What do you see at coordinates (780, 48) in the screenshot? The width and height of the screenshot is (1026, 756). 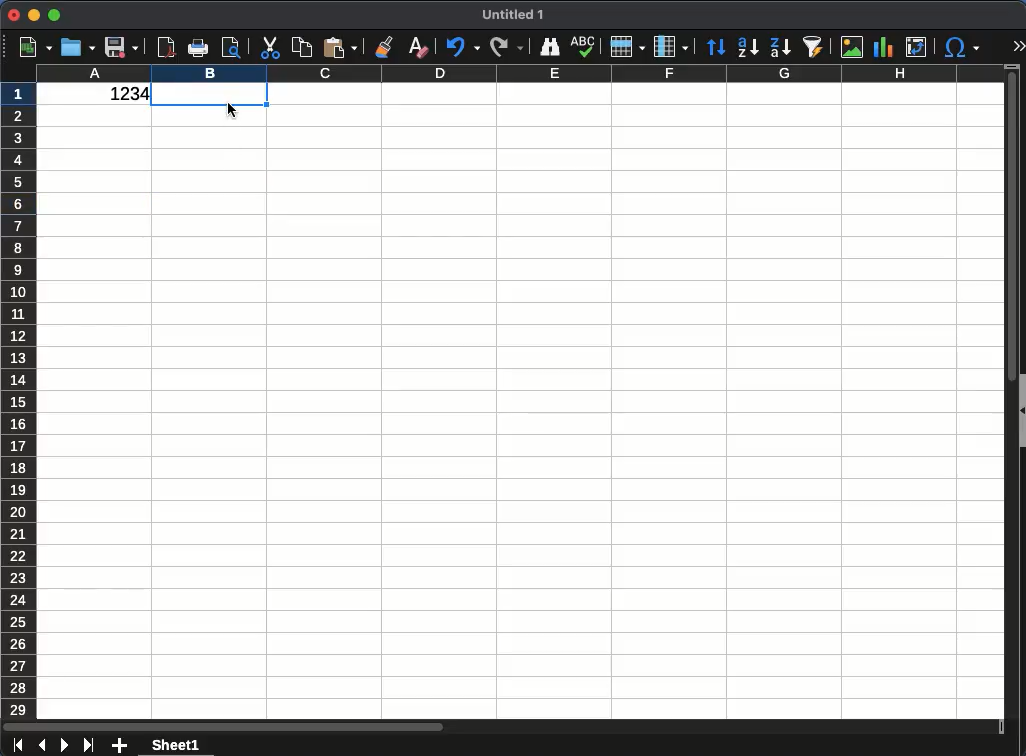 I see `descending` at bounding box center [780, 48].